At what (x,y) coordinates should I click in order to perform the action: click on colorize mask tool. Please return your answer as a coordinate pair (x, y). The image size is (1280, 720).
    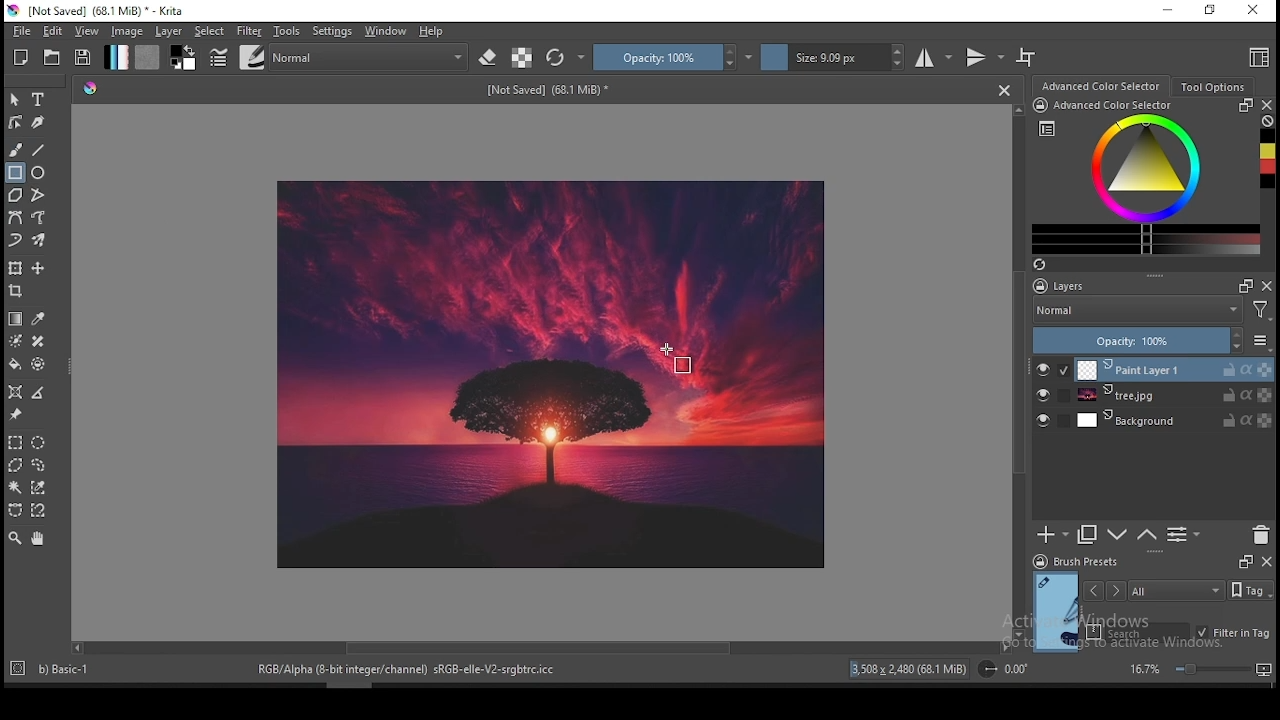
    Looking at the image, I should click on (16, 340).